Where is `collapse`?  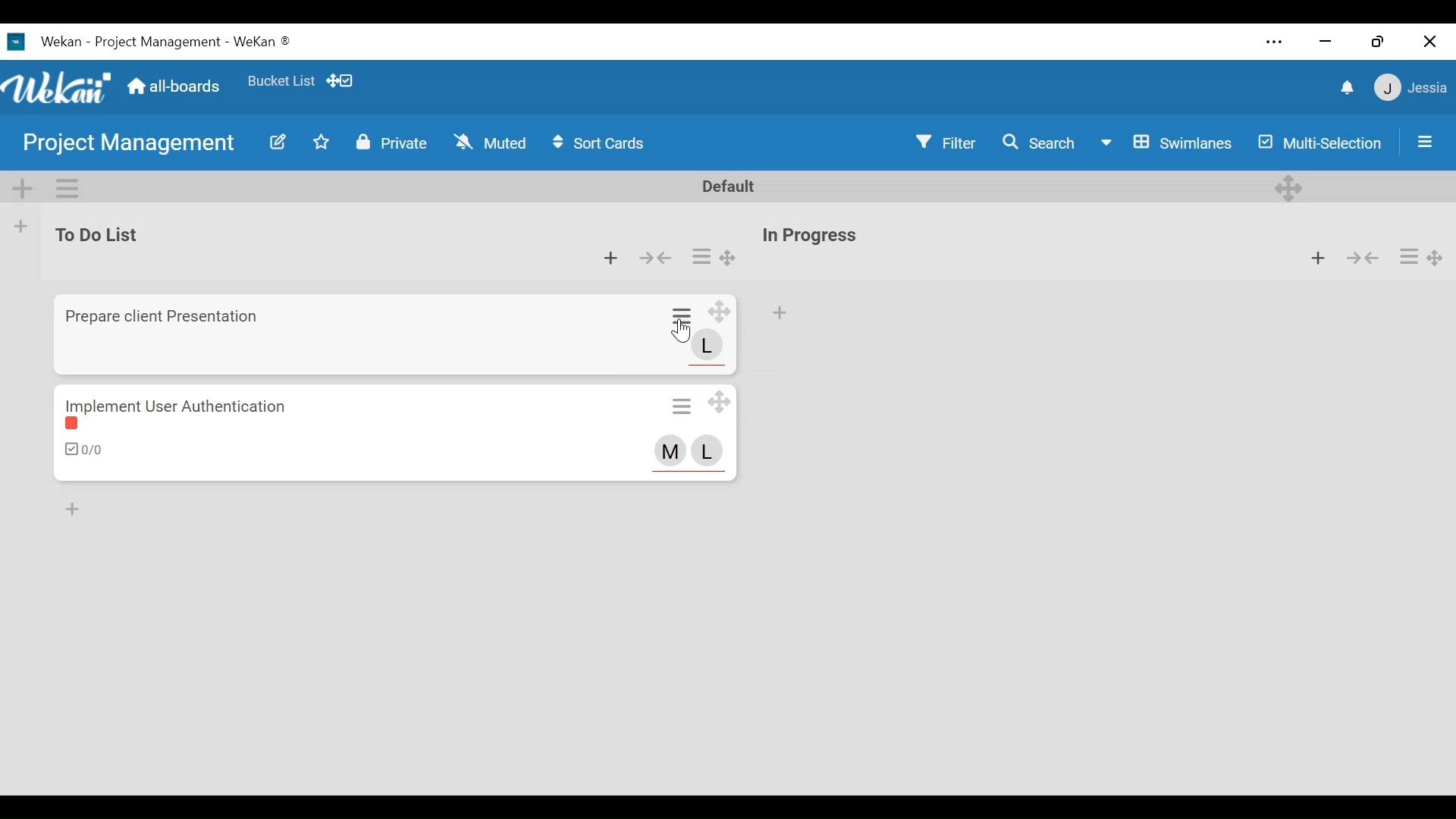
collapse is located at coordinates (657, 258).